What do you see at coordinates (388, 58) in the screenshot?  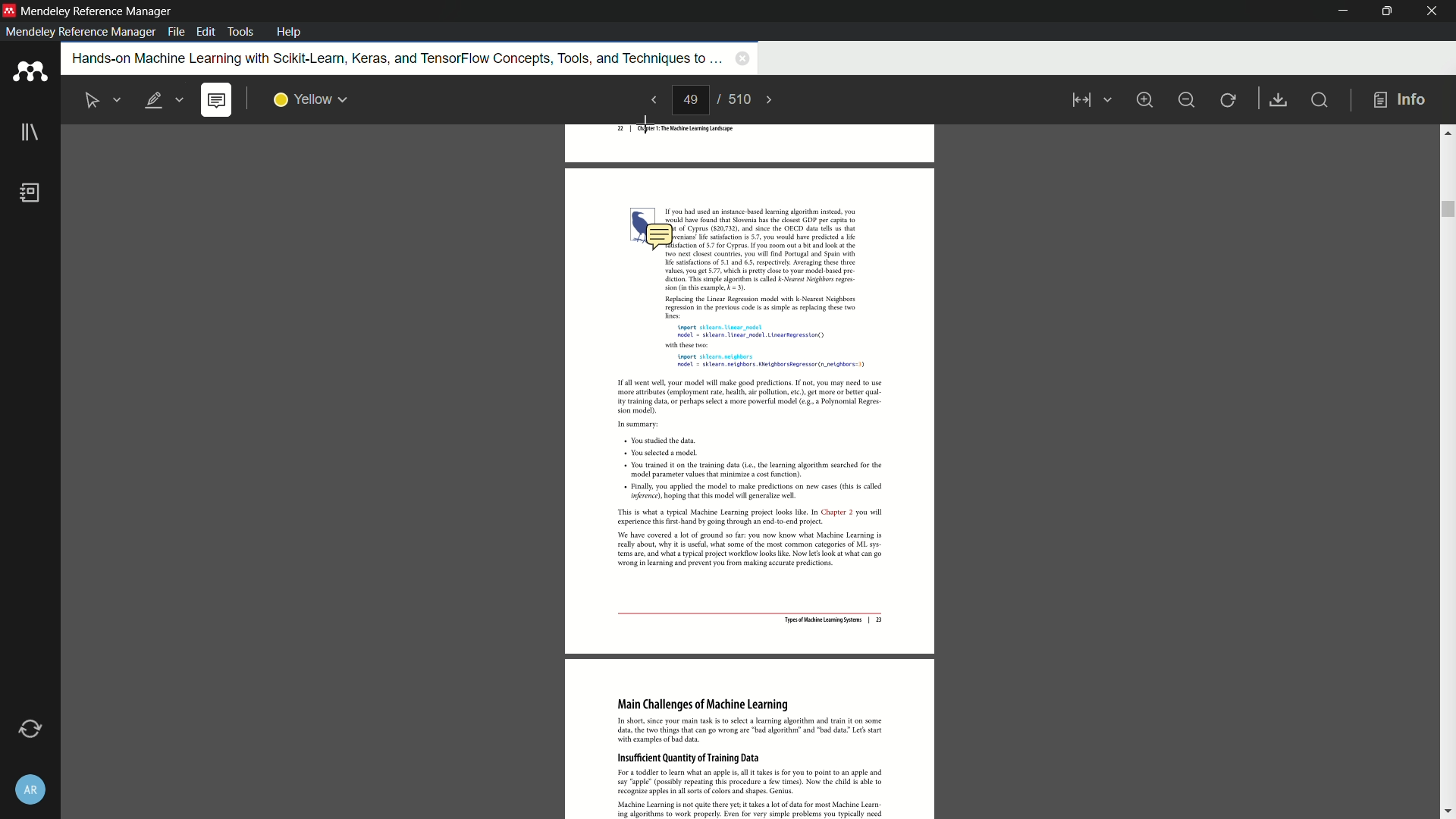 I see `Hands-on Machine Learning Scikit-Learn, Kreas, and TensorFlow Concepts, Tools, and Techniques to...` at bounding box center [388, 58].